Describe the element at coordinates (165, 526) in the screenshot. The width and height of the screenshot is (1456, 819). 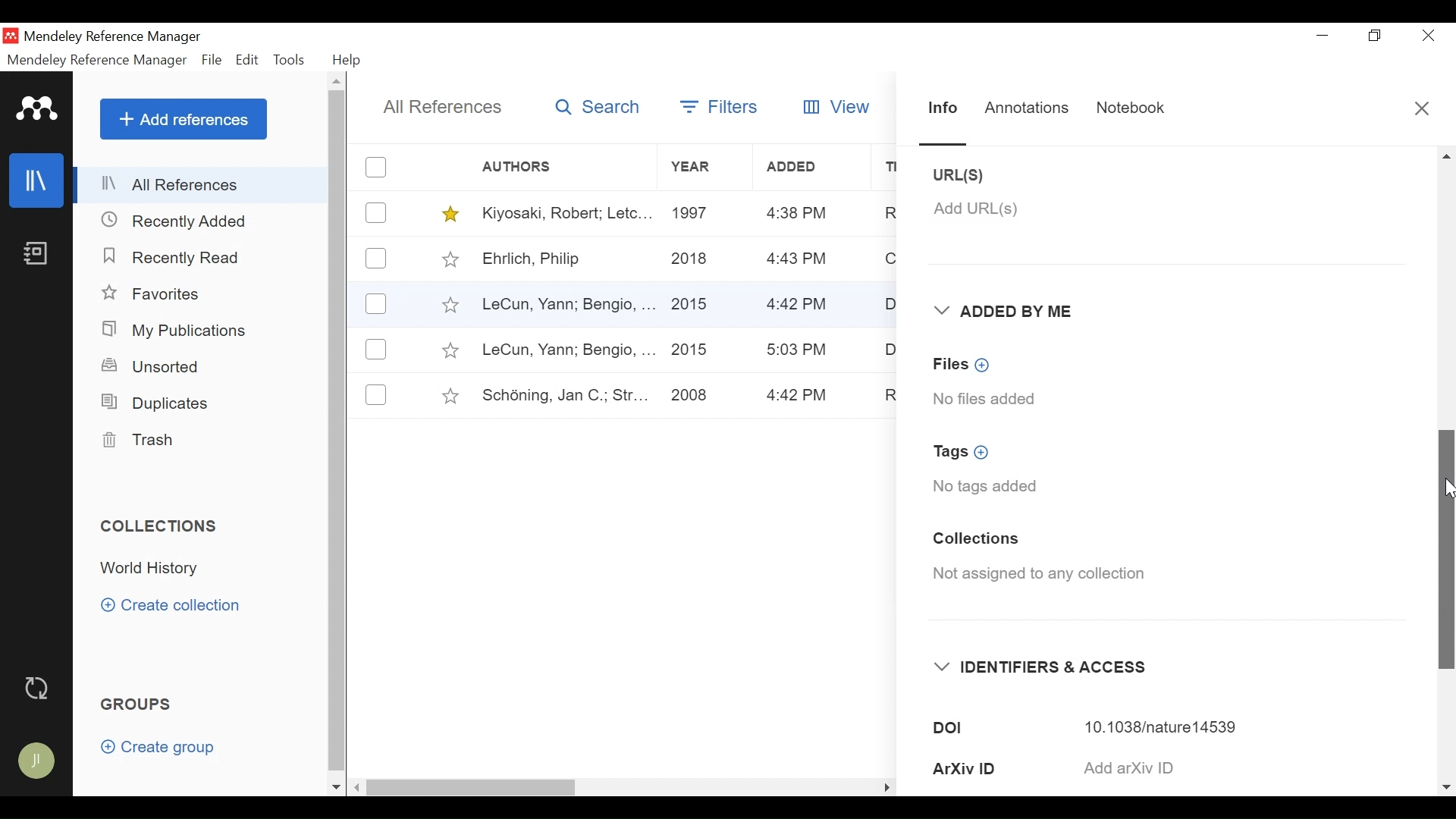
I see `Collections` at that location.